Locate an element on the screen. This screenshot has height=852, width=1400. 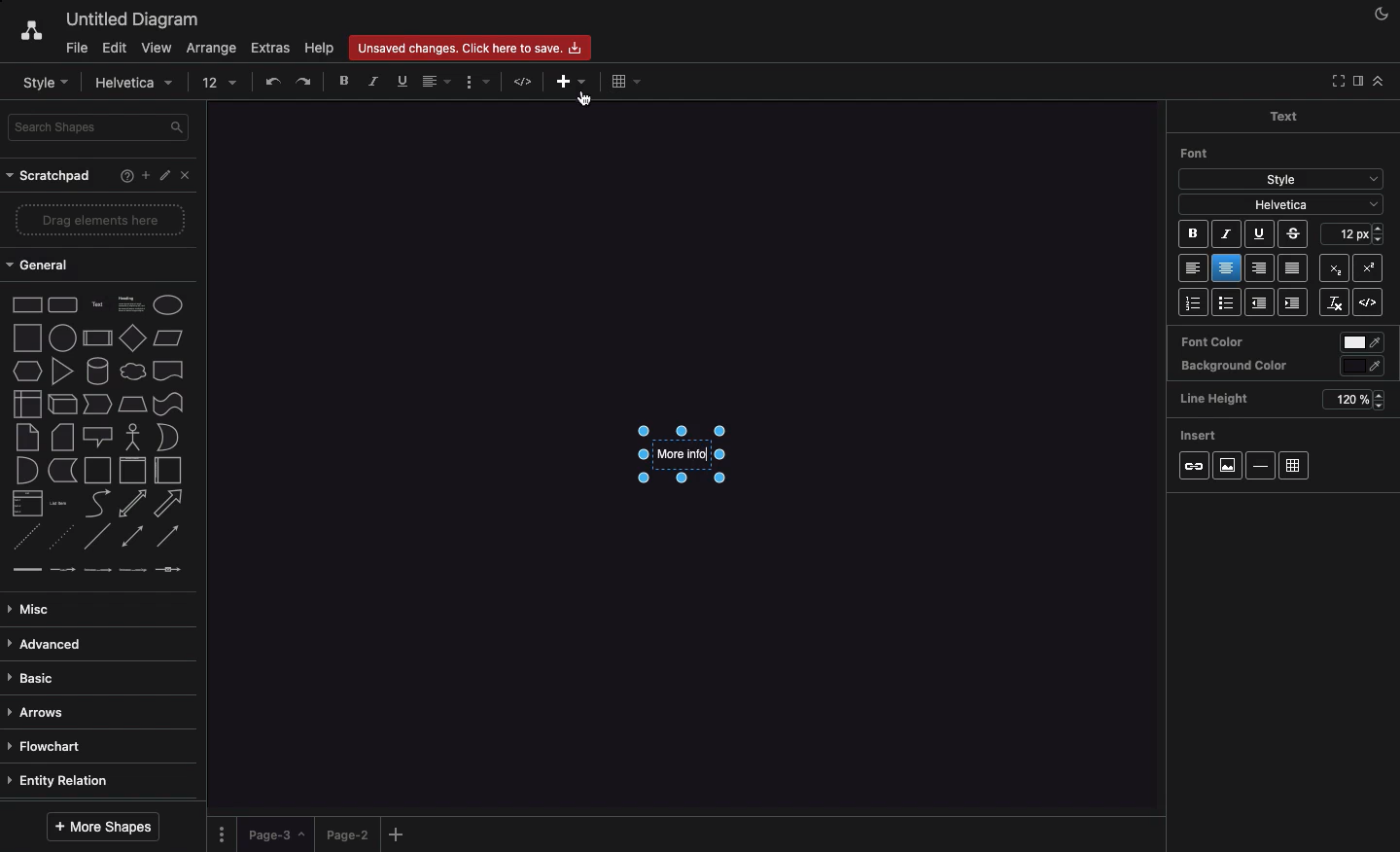
square is located at coordinates (27, 337).